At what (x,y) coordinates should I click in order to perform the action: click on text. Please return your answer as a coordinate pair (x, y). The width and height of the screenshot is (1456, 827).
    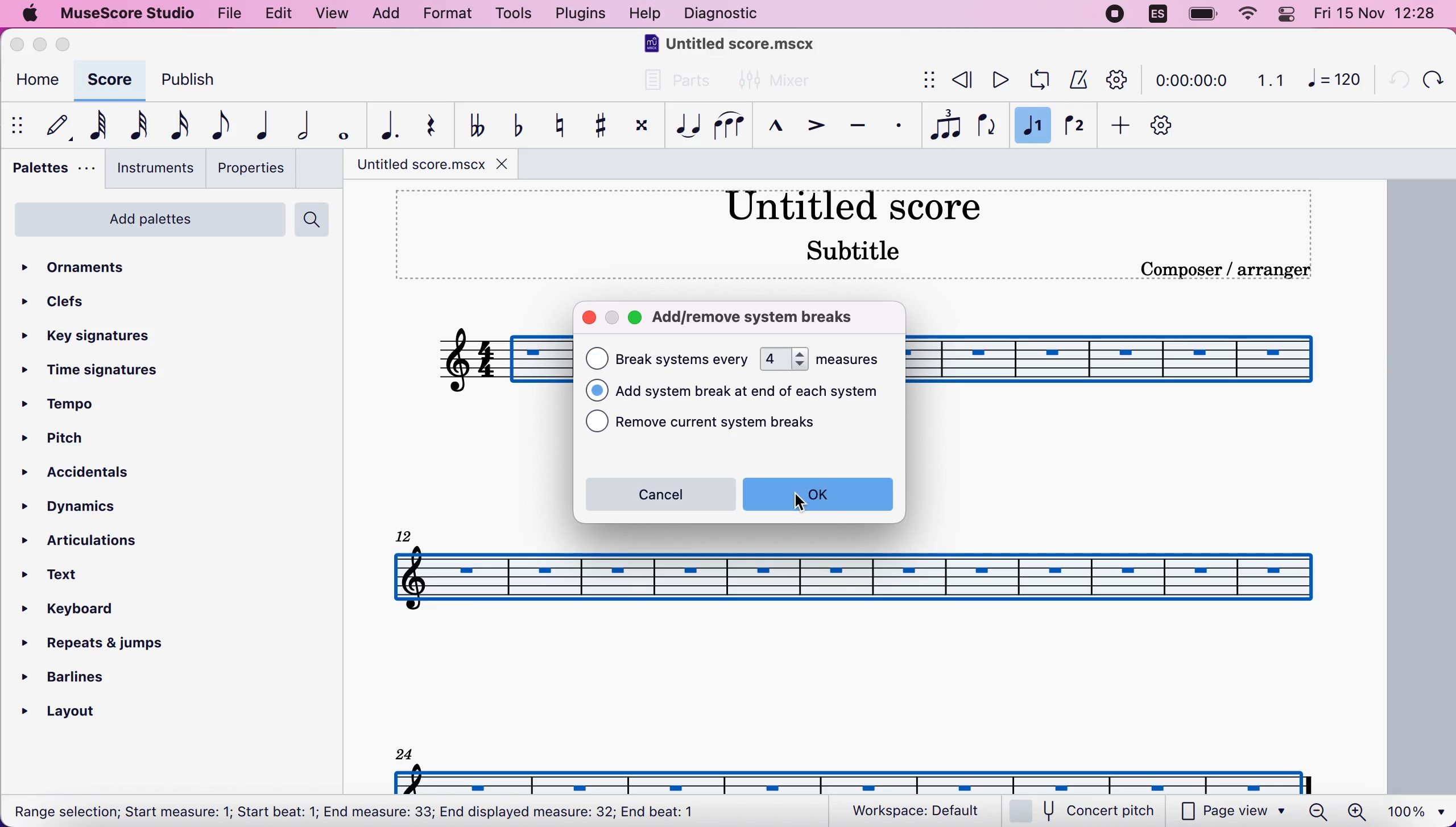
    Looking at the image, I should click on (64, 576).